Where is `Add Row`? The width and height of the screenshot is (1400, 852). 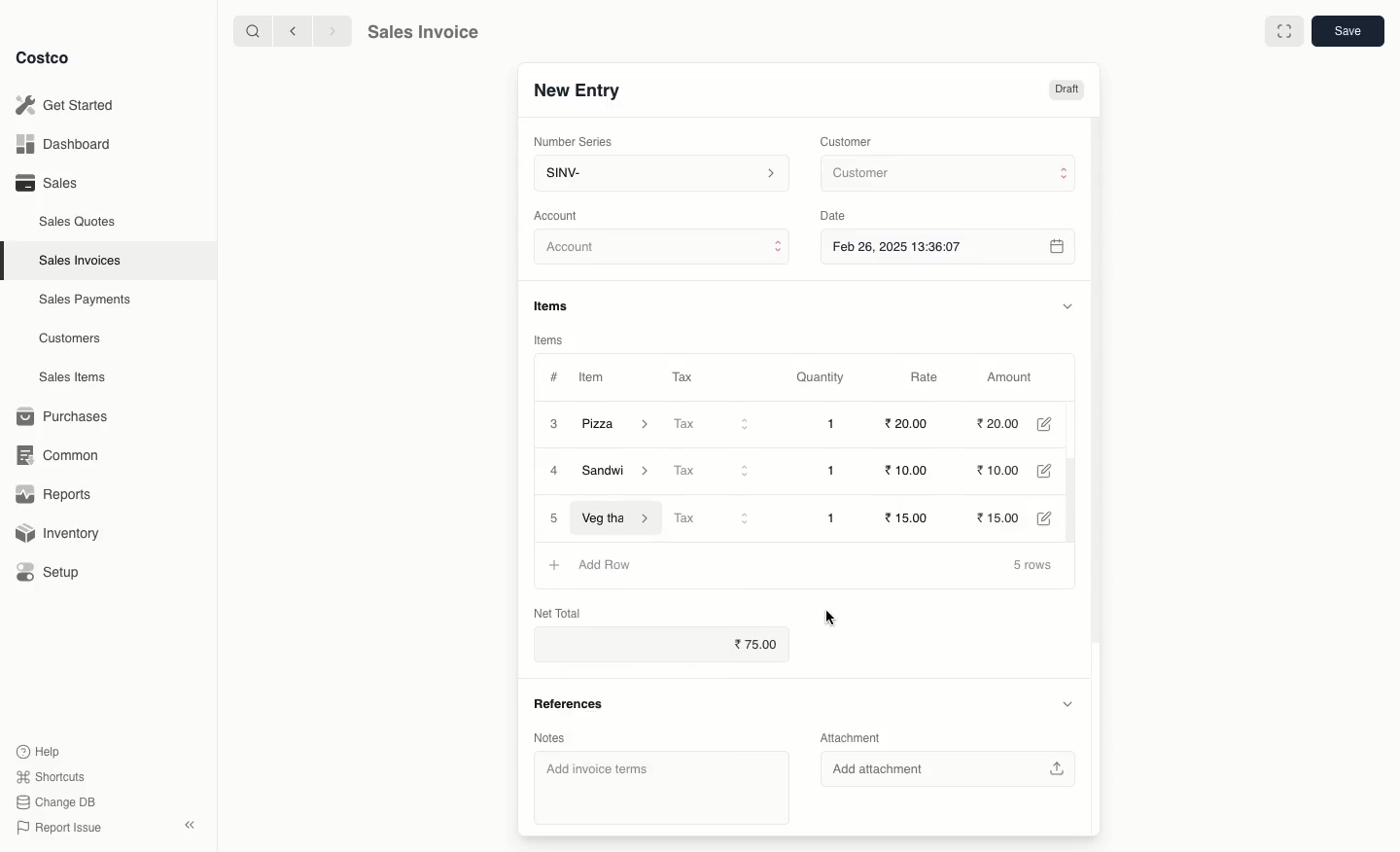 Add Row is located at coordinates (605, 562).